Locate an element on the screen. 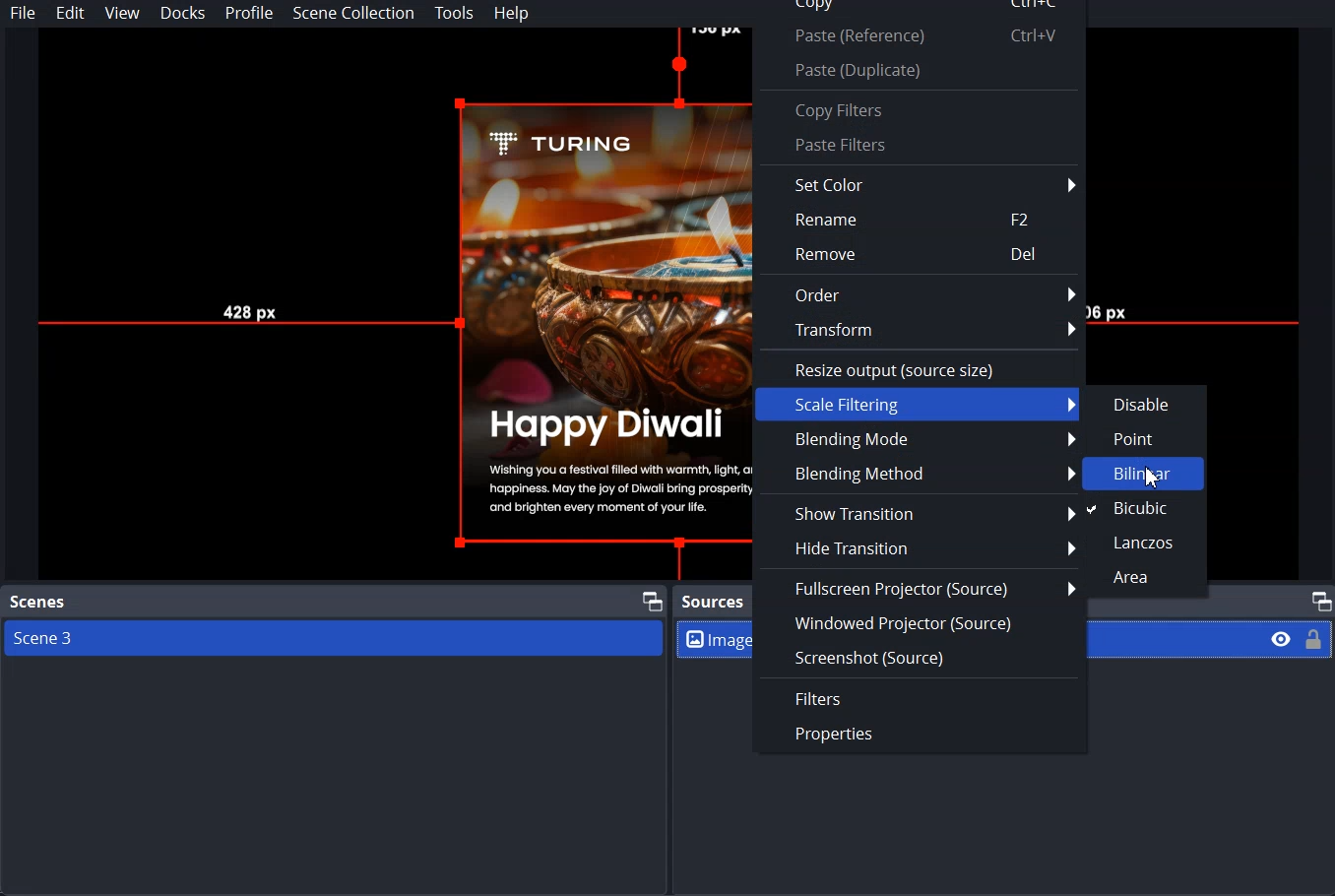 This screenshot has height=896, width=1335. Scene Collection is located at coordinates (352, 13).